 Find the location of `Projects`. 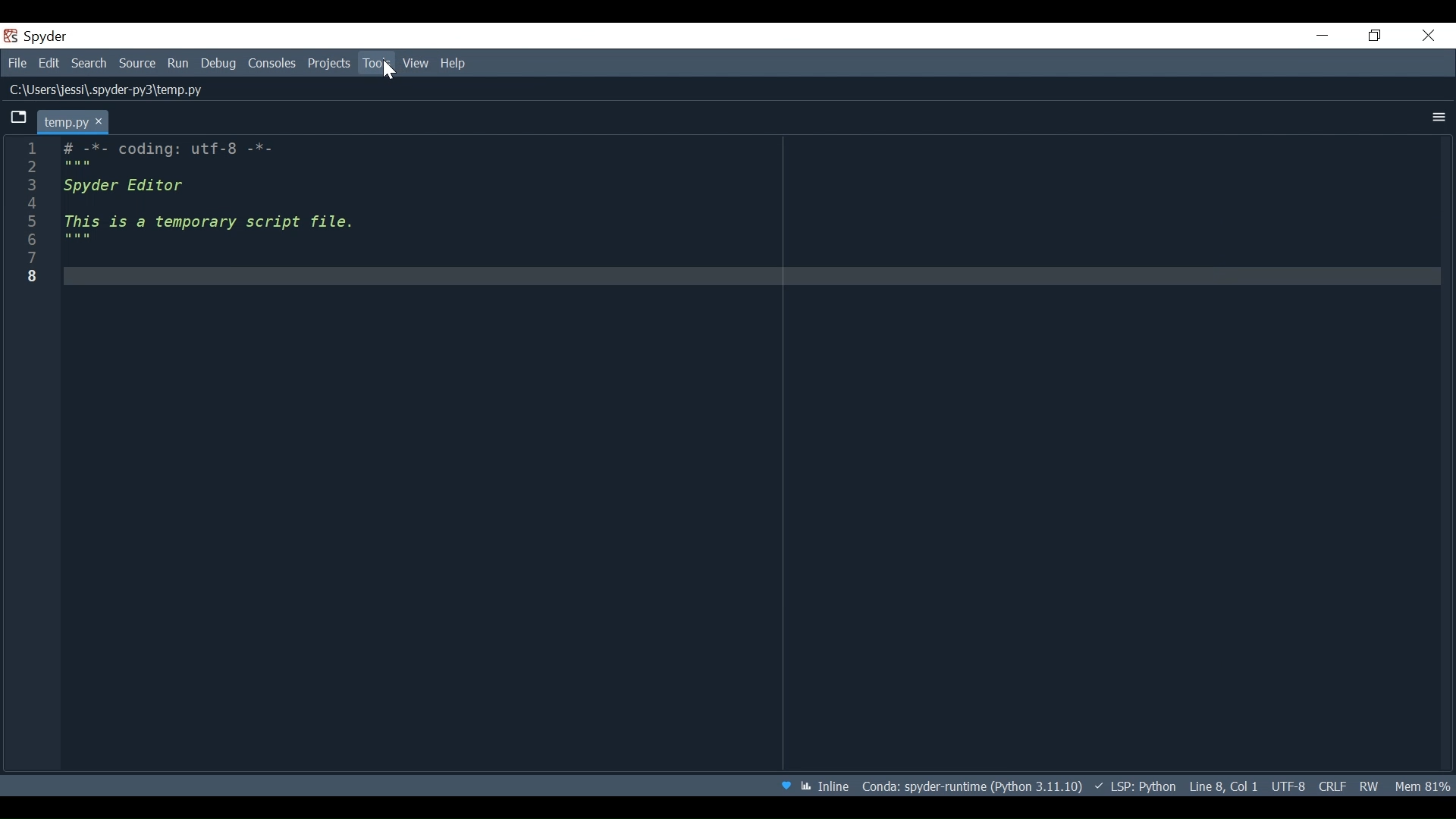

Projects is located at coordinates (329, 64).